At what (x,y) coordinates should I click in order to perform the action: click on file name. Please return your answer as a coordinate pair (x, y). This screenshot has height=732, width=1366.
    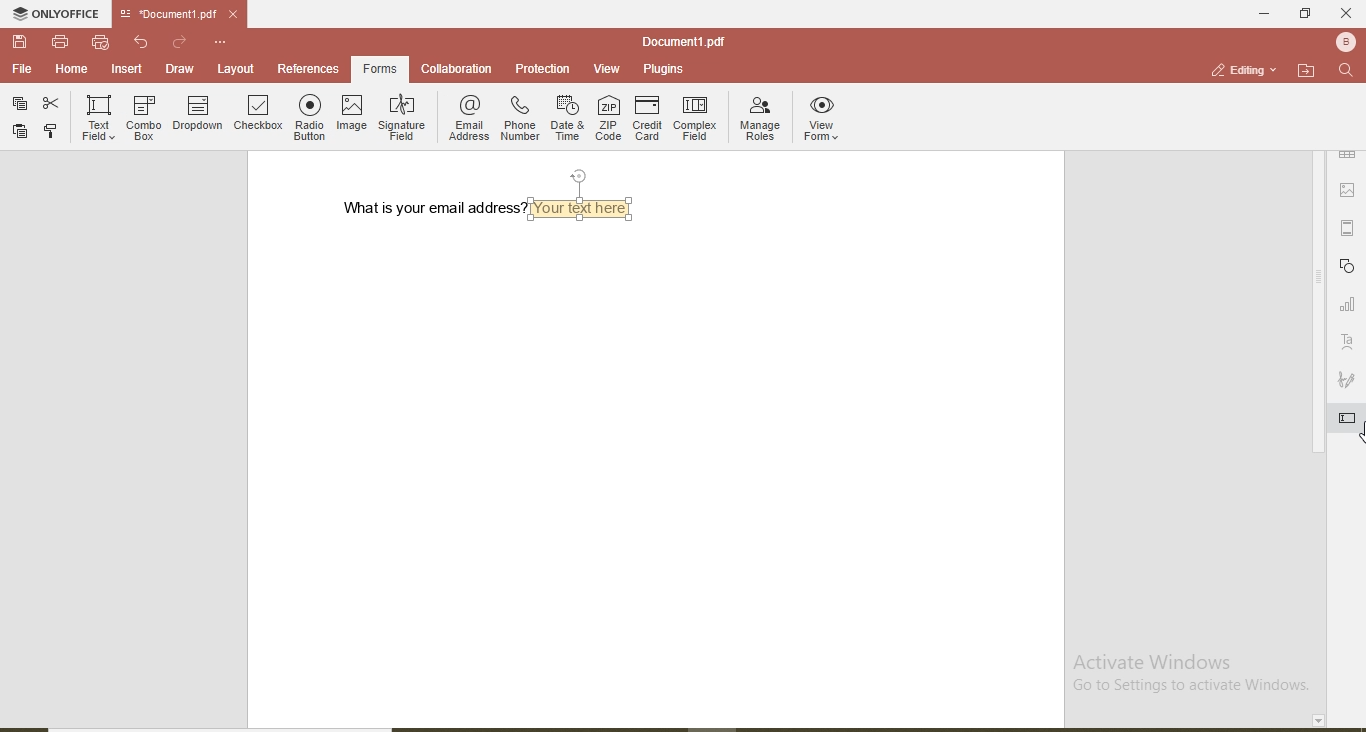
    Looking at the image, I should click on (164, 15).